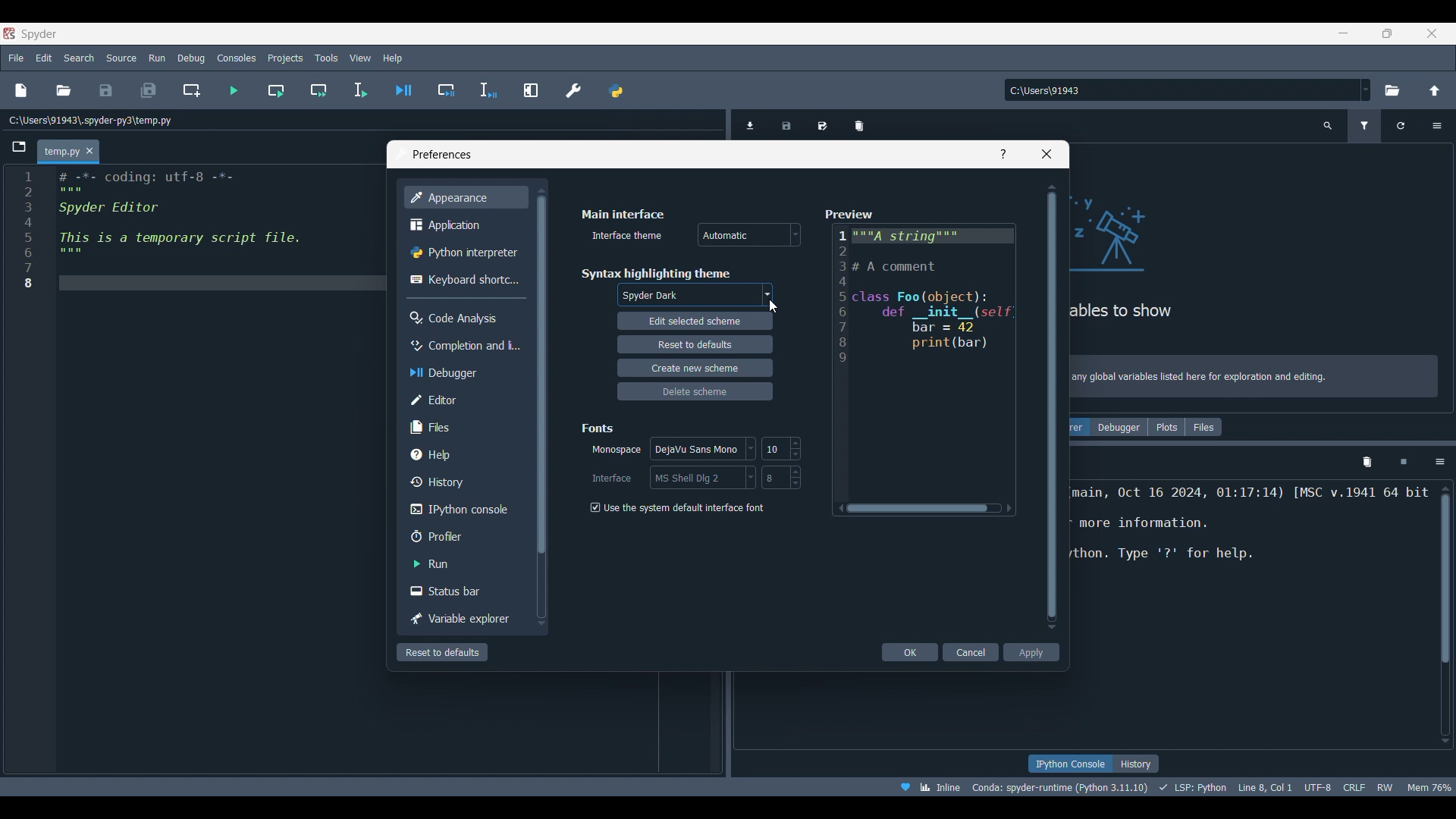 This screenshot has height=819, width=1456. What do you see at coordinates (191, 89) in the screenshot?
I see `Create new cell at current line` at bounding box center [191, 89].